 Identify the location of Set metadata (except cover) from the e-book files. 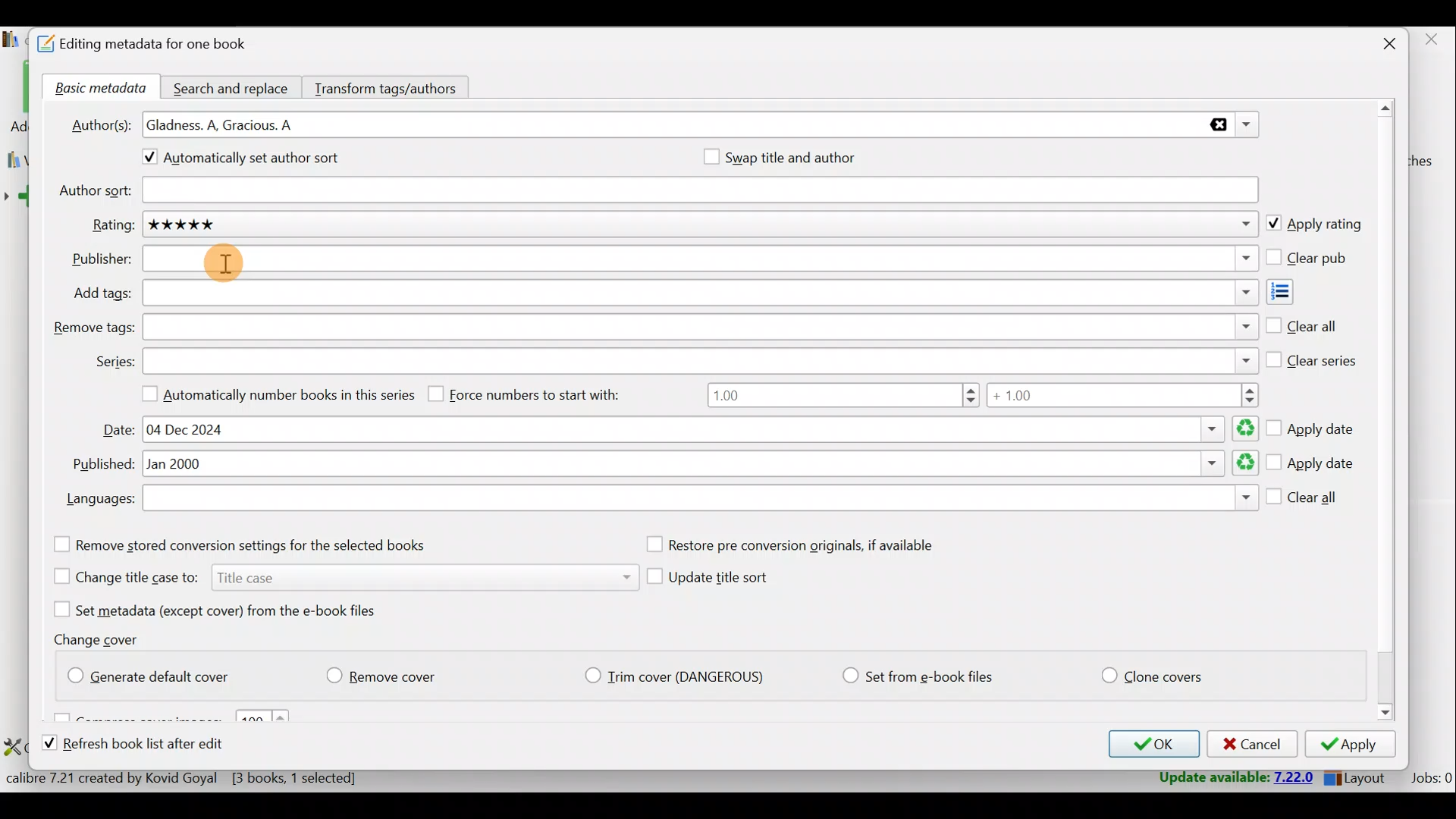
(234, 609).